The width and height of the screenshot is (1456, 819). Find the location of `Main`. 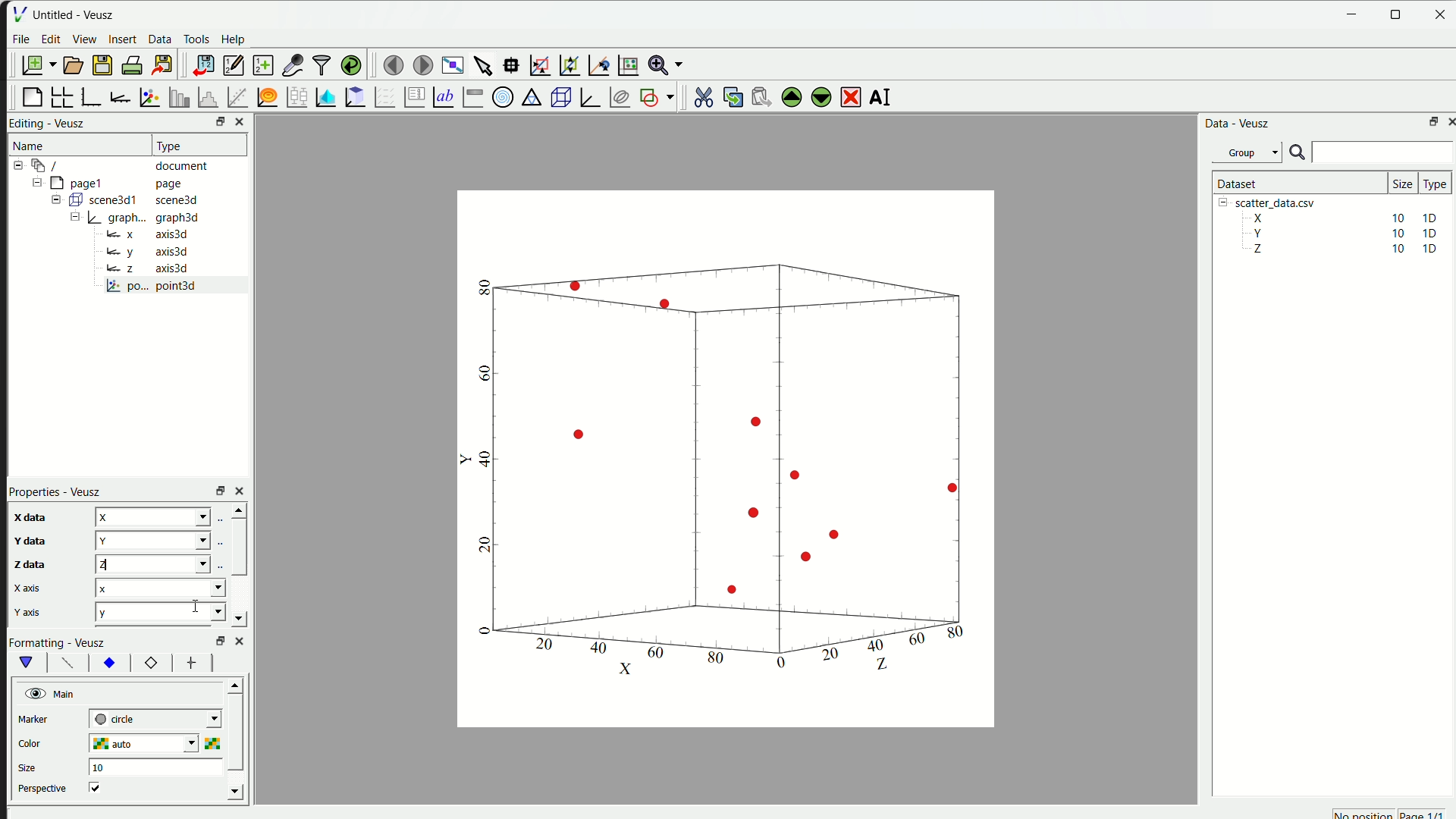

Main is located at coordinates (54, 692).